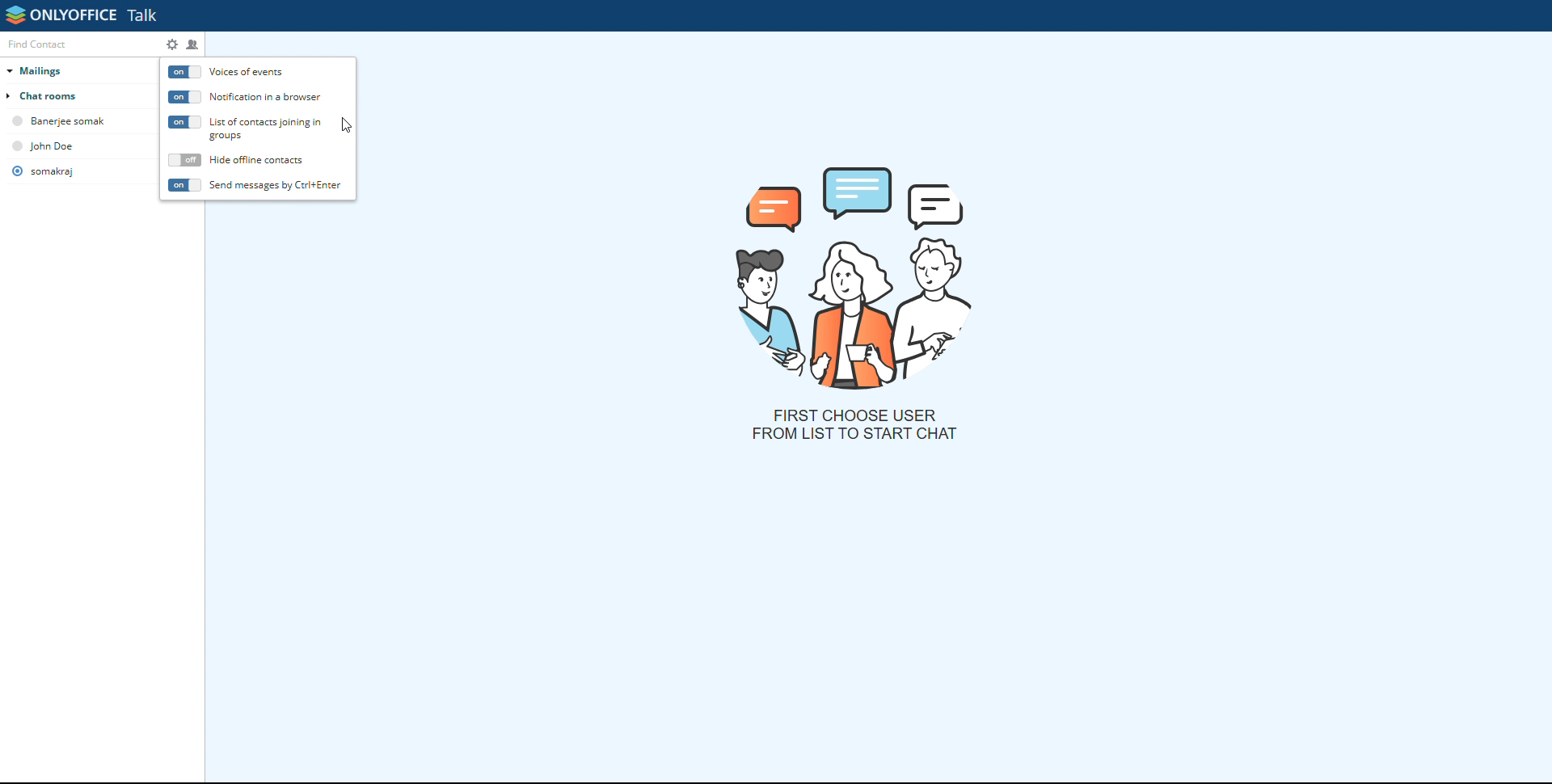 This screenshot has width=1552, height=784. What do you see at coordinates (73, 95) in the screenshot?
I see `chat rooms` at bounding box center [73, 95].